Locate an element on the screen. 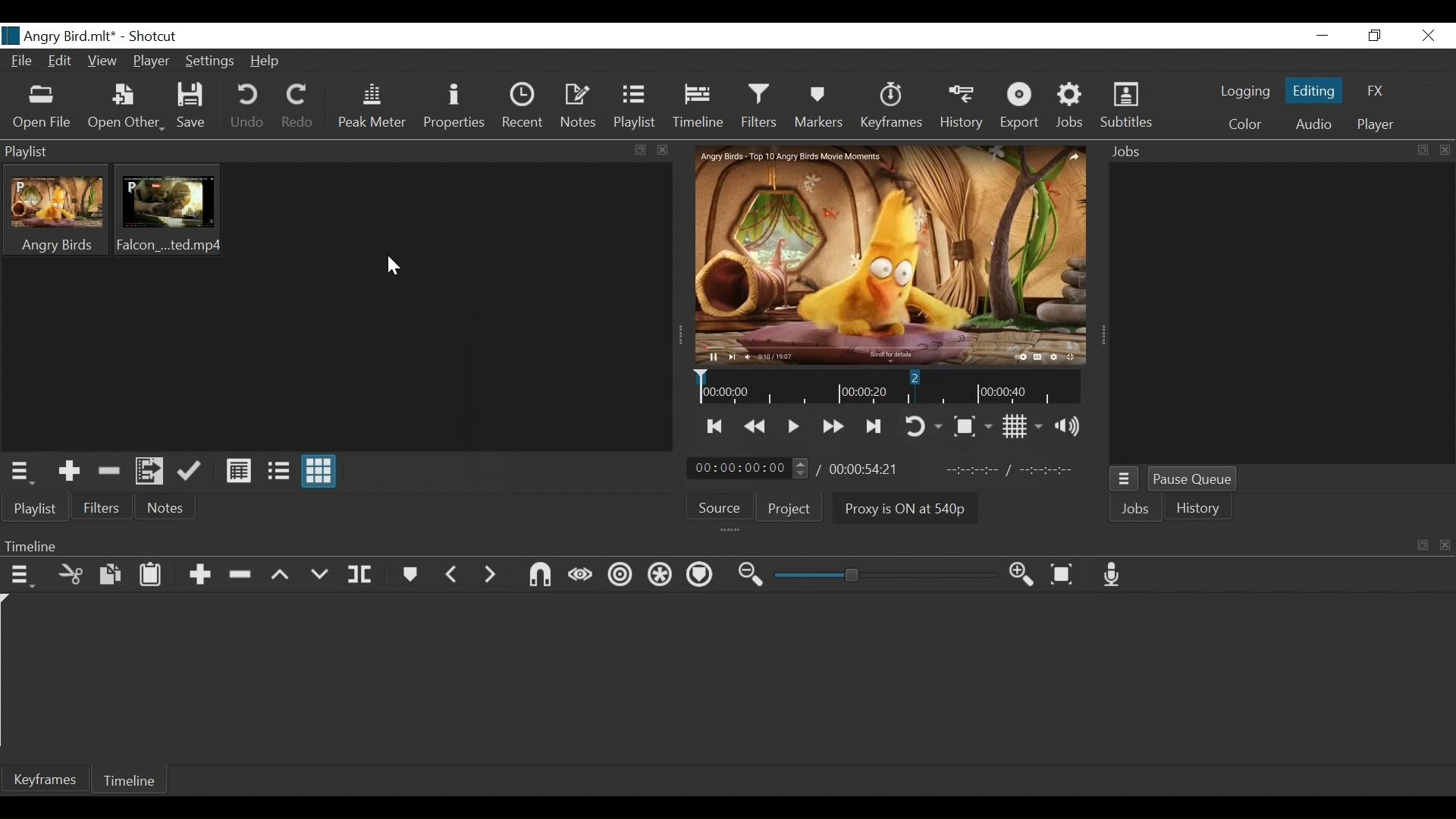  Scrub while dragging is located at coordinates (579, 573).